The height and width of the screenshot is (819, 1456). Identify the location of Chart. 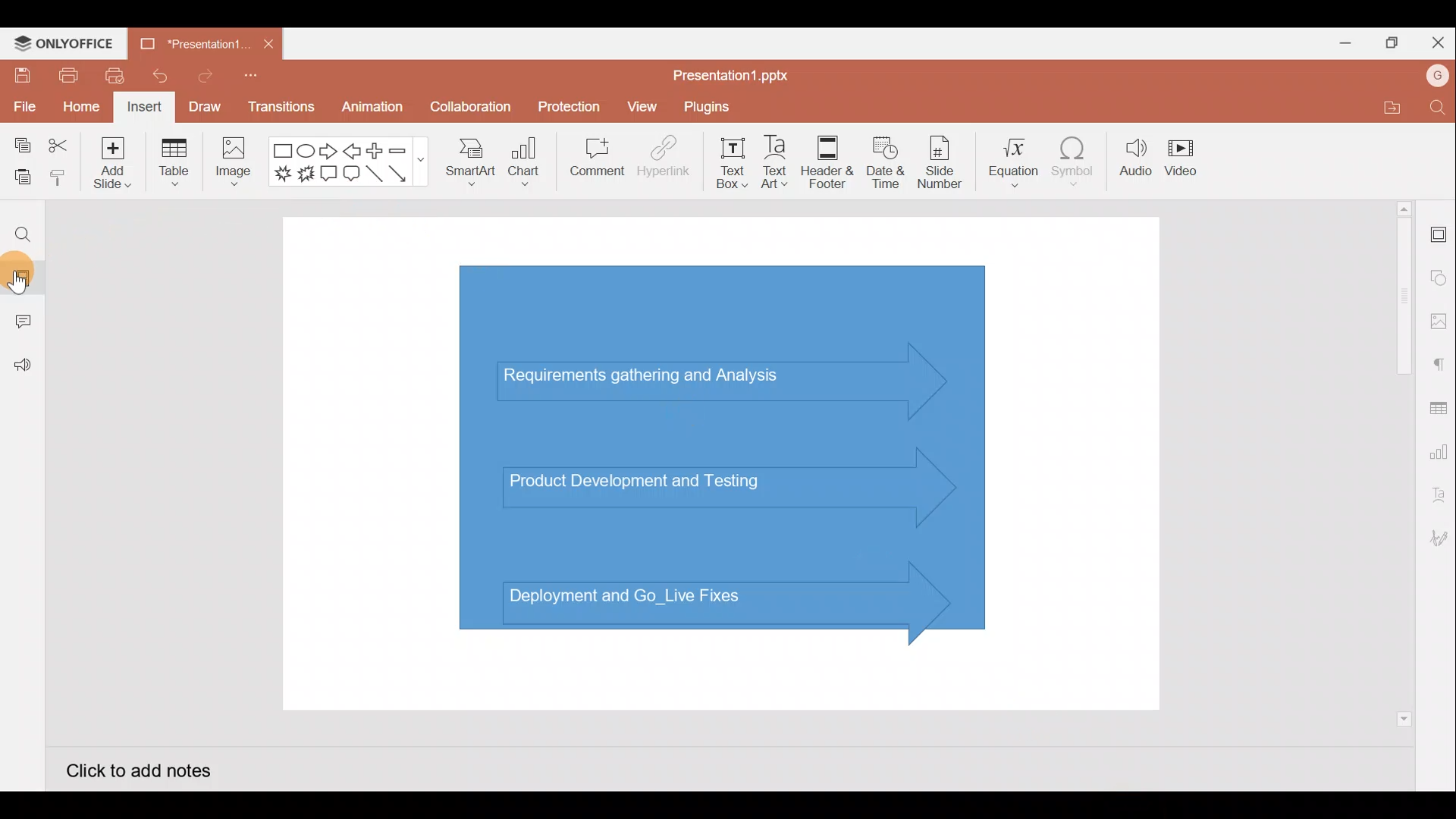
(528, 166).